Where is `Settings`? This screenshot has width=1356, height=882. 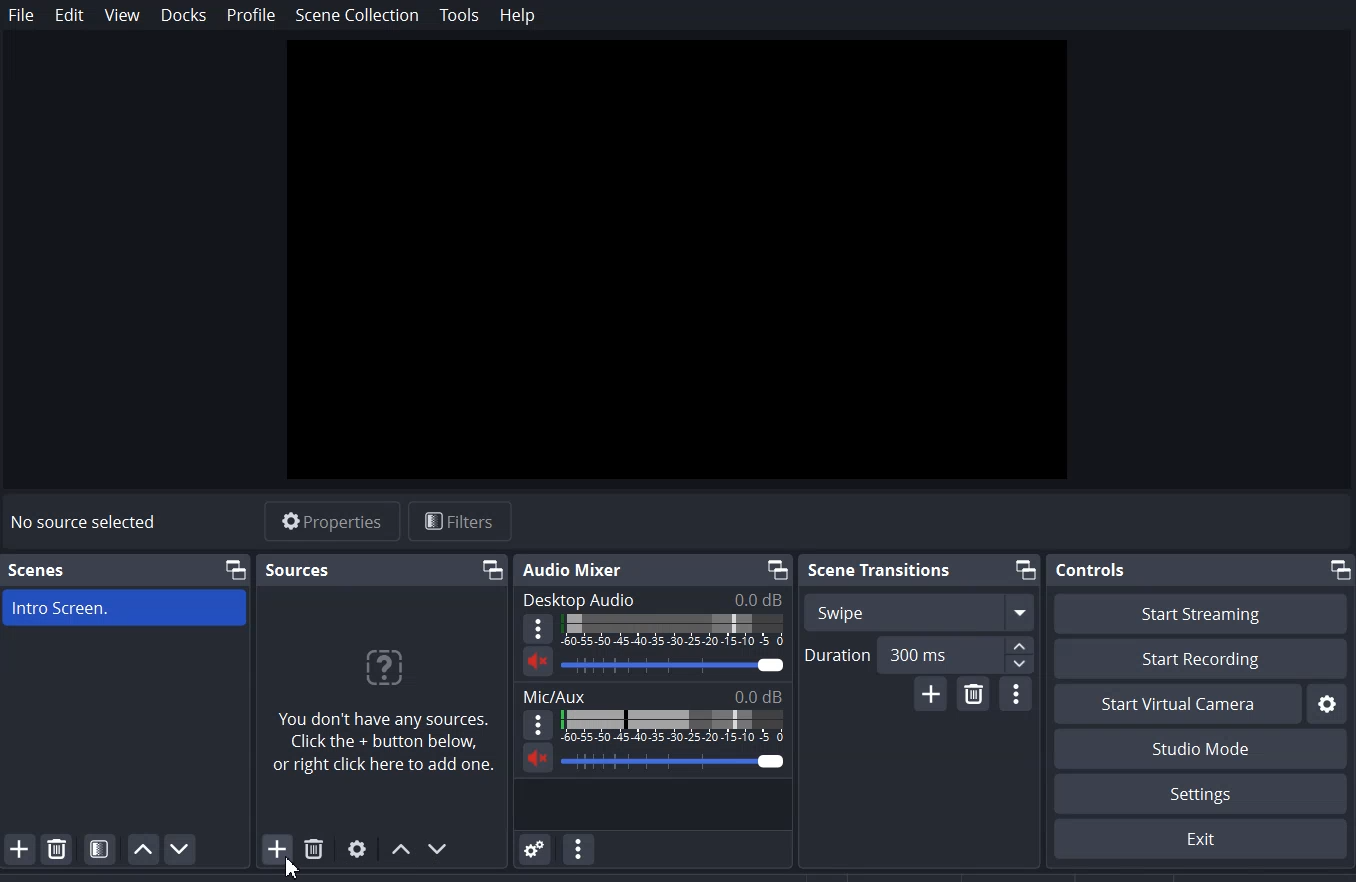
Settings is located at coordinates (1201, 794).